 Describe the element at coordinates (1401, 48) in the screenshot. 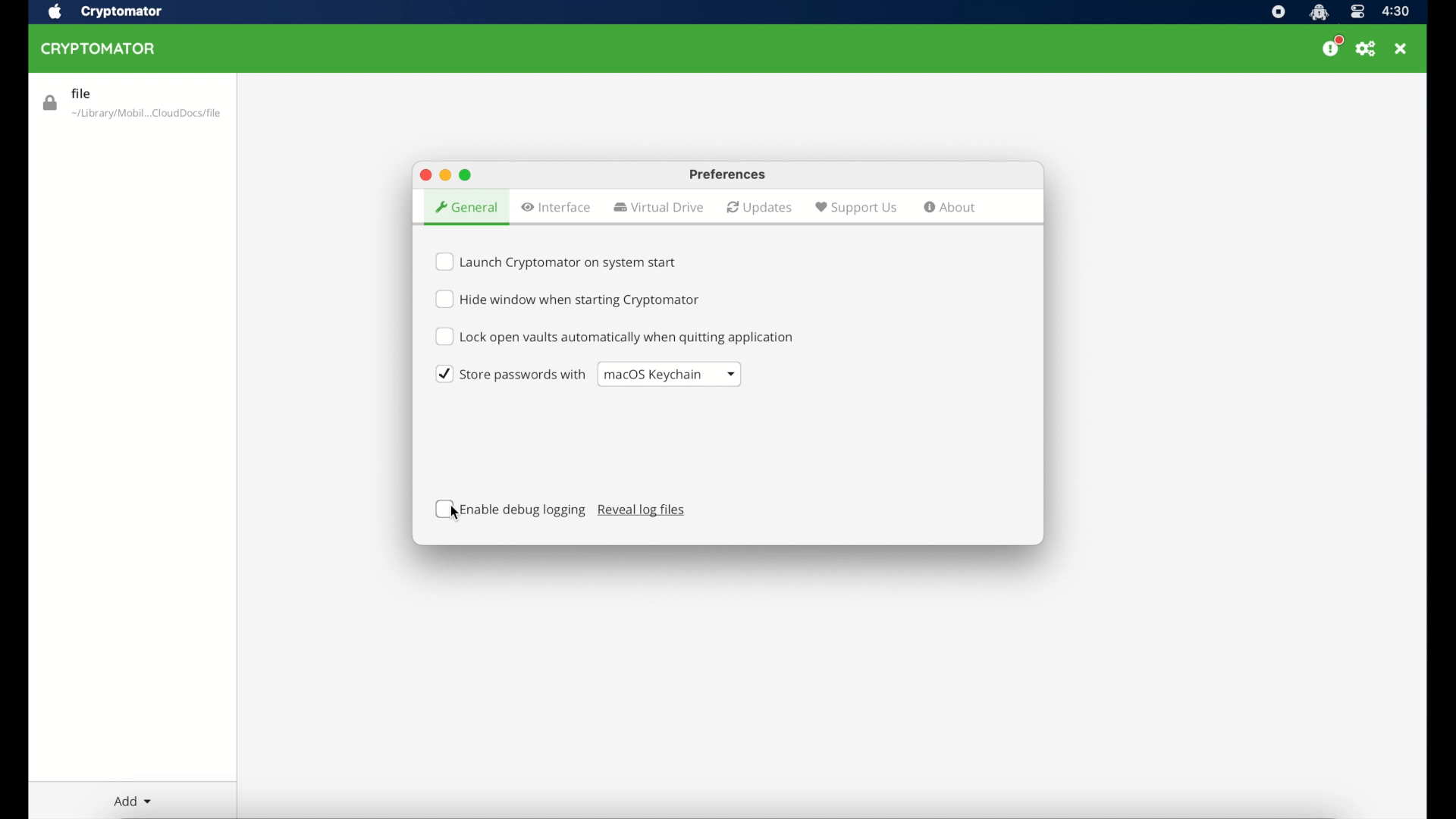

I see `close` at that location.